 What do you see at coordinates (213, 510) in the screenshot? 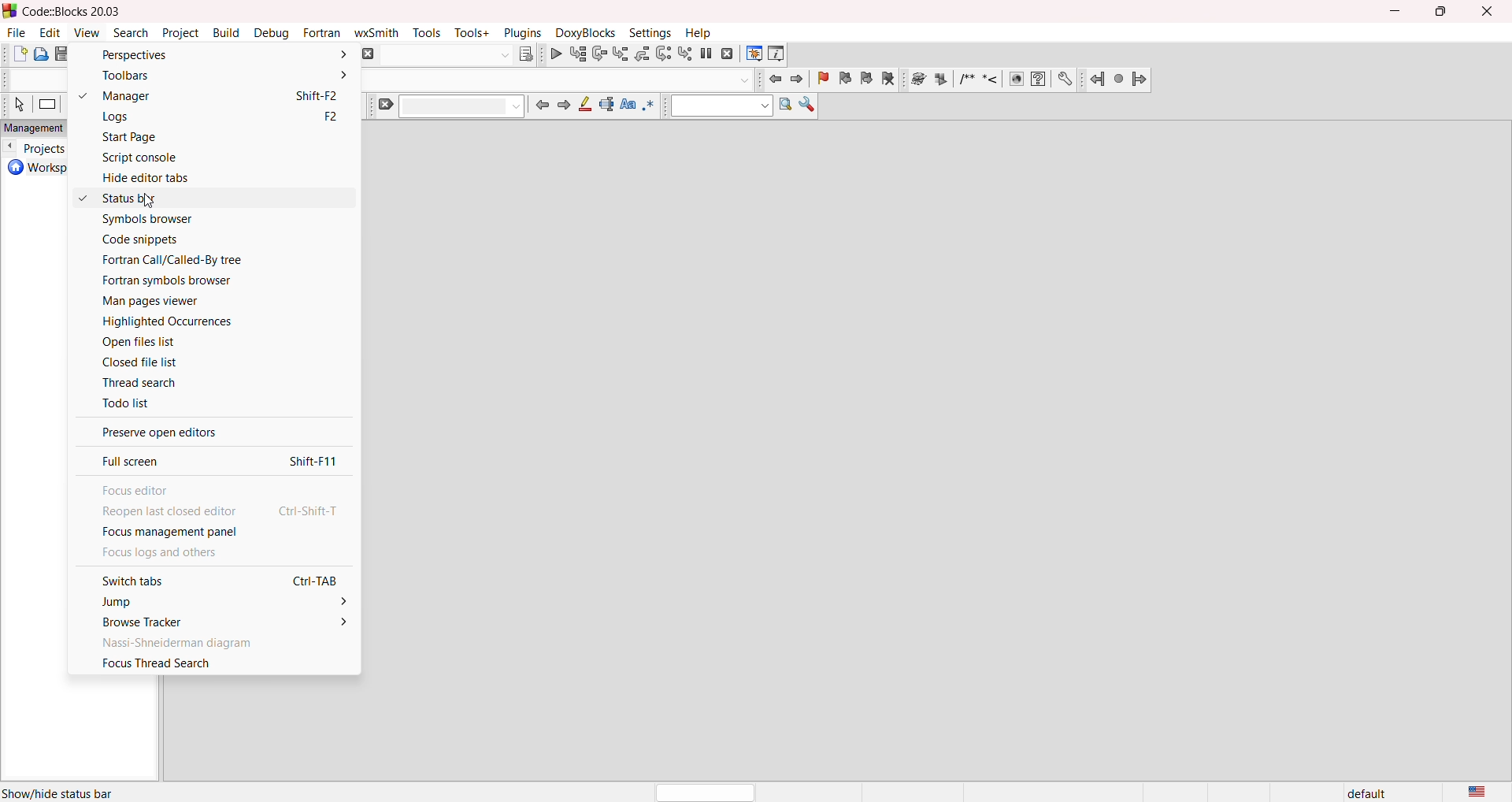
I see `reopen last closed editor` at bounding box center [213, 510].